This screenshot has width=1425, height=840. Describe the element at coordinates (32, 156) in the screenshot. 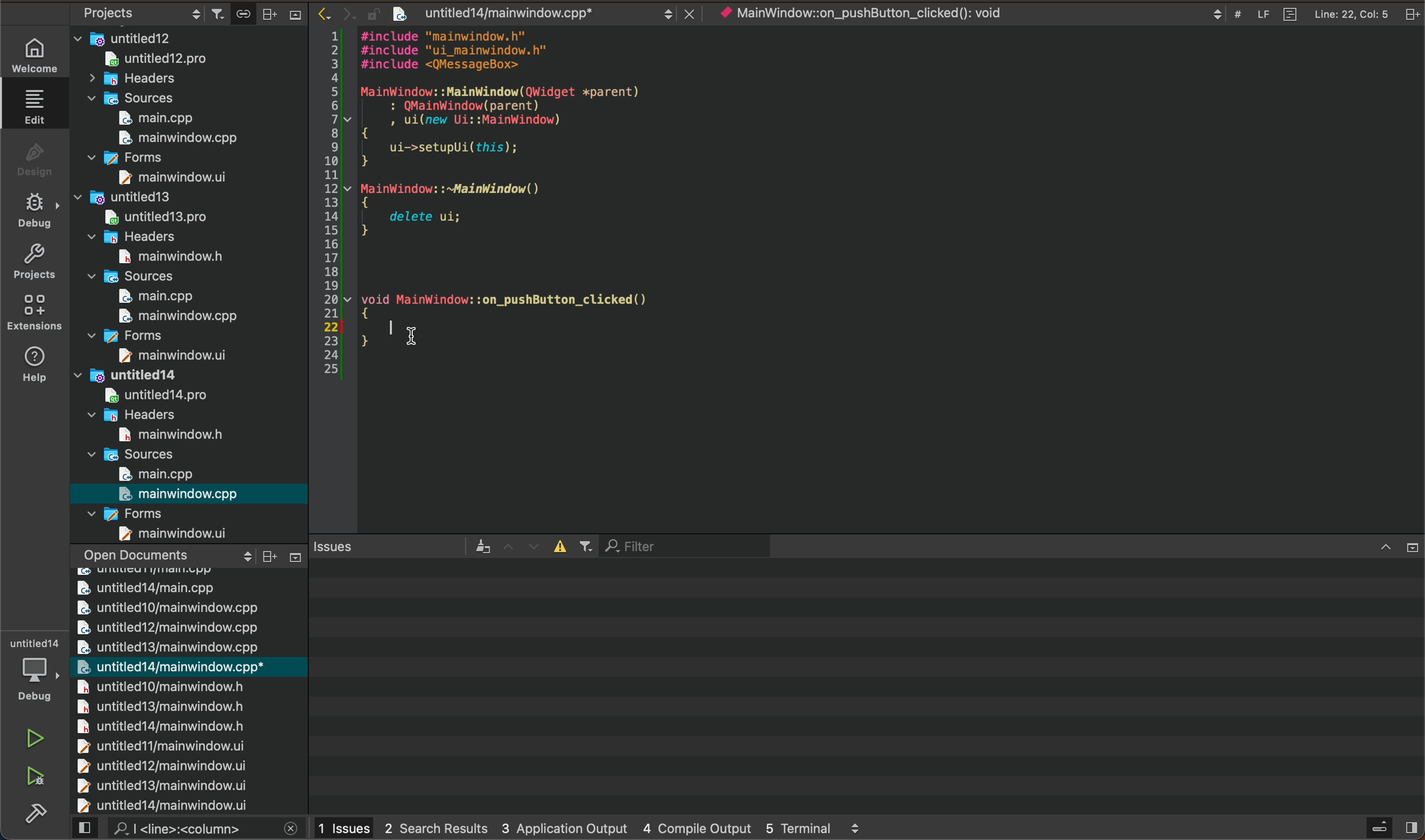

I see `DESIGN` at that location.